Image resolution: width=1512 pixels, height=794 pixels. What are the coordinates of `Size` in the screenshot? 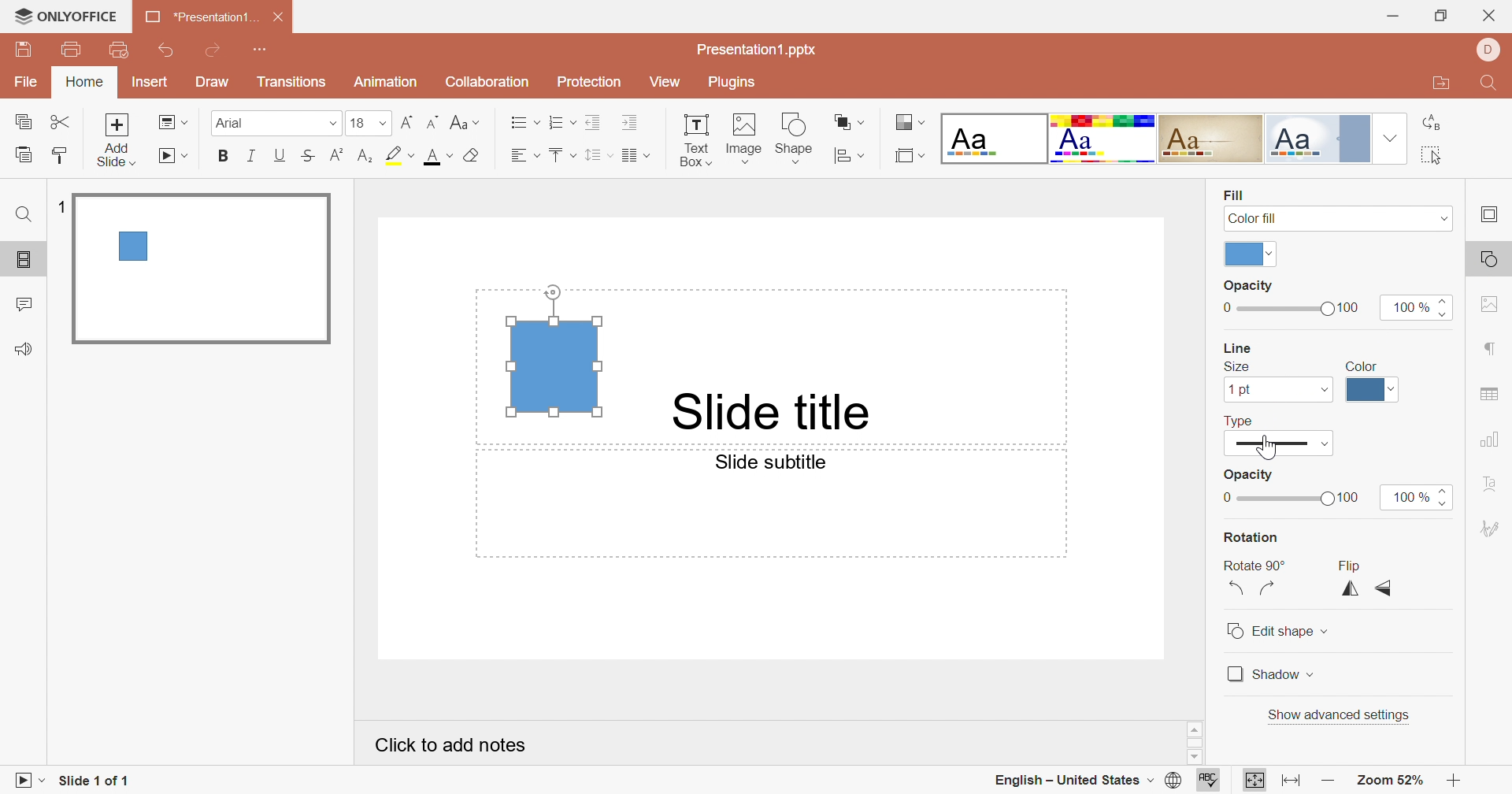 It's located at (1236, 367).